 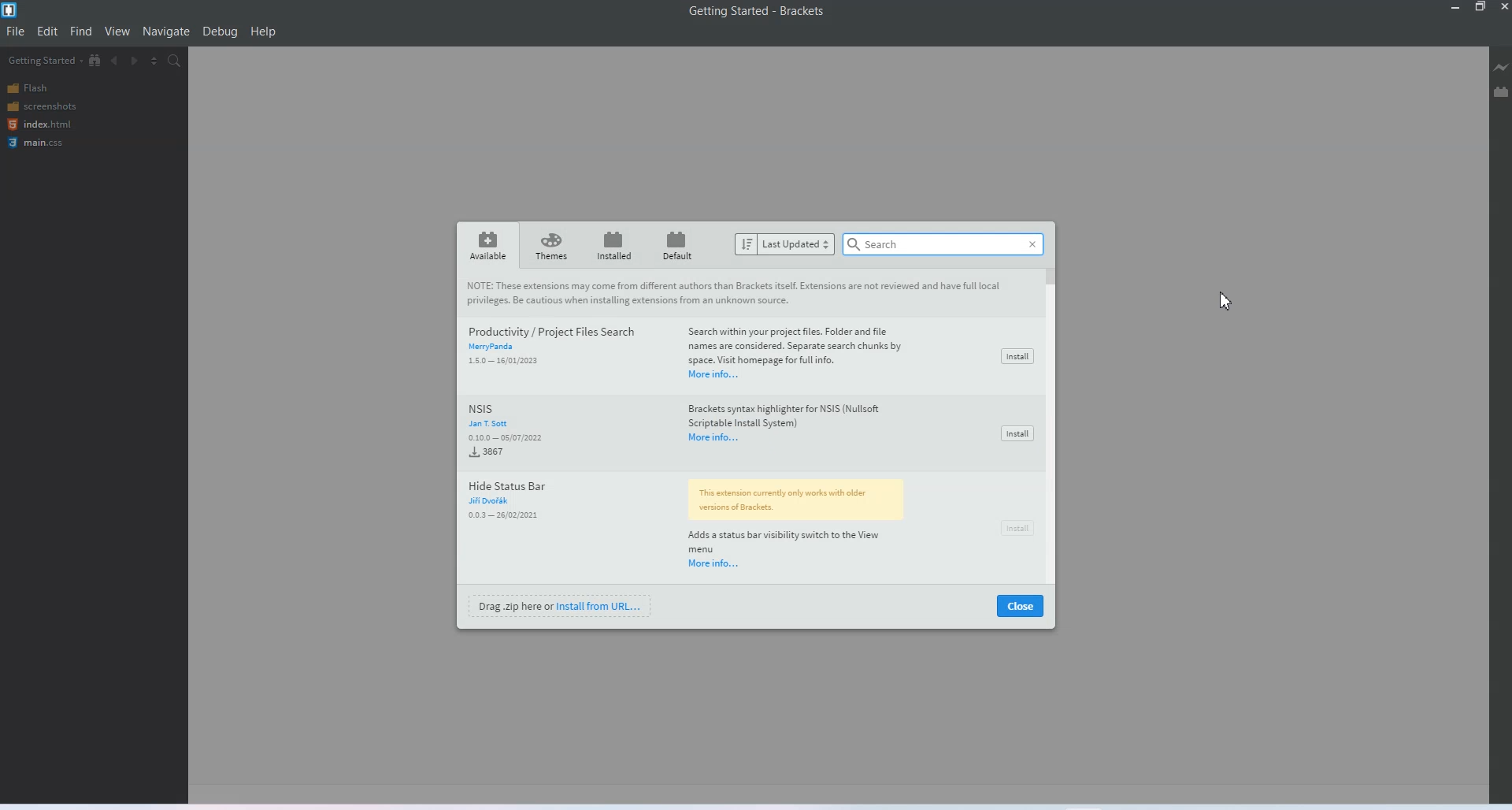 What do you see at coordinates (41, 106) in the screenshot?
I see `screenshots` at bounding box center [41, 106].